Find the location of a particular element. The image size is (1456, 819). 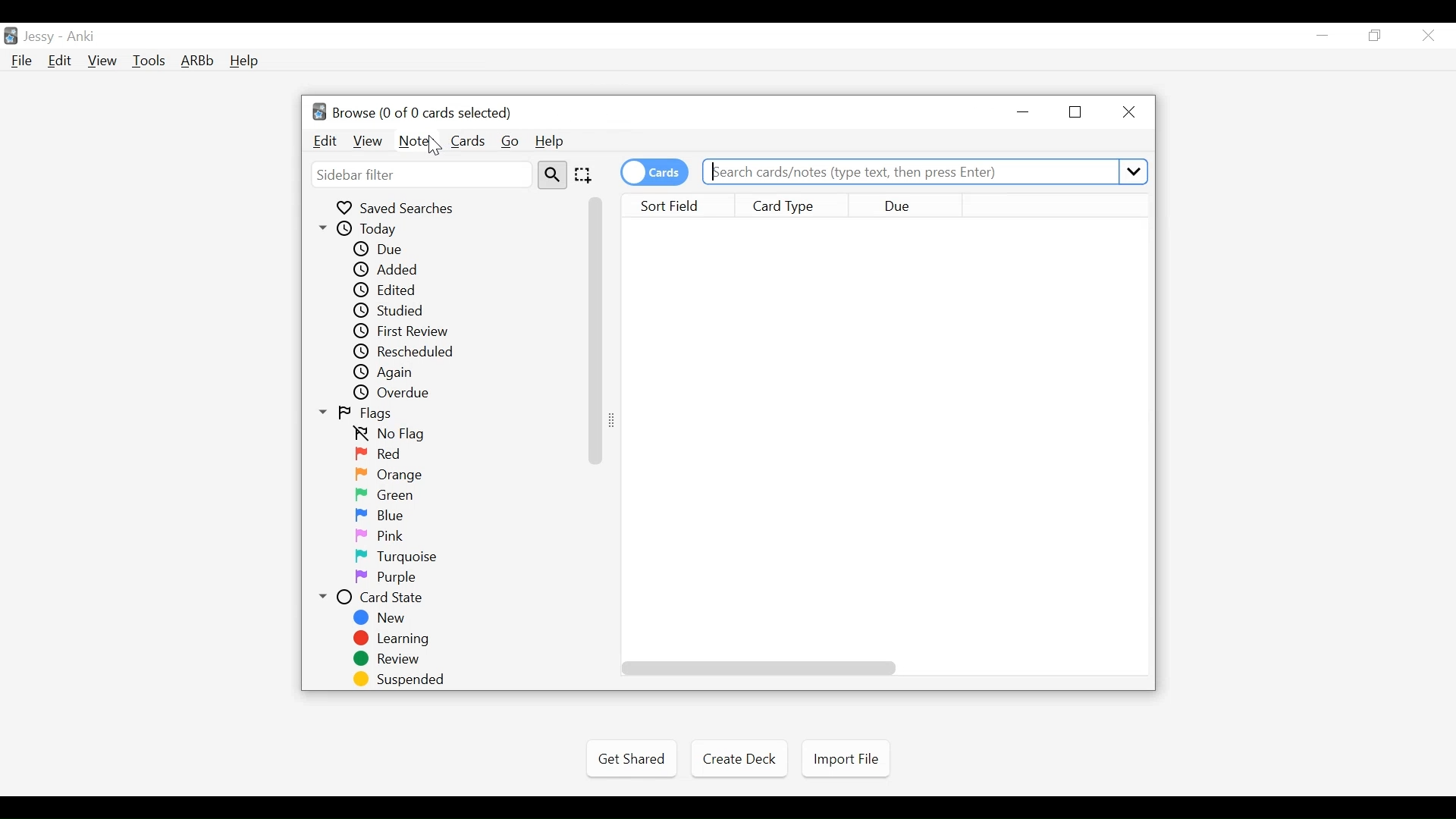

Create Deck is located at coordinates (736, 758).